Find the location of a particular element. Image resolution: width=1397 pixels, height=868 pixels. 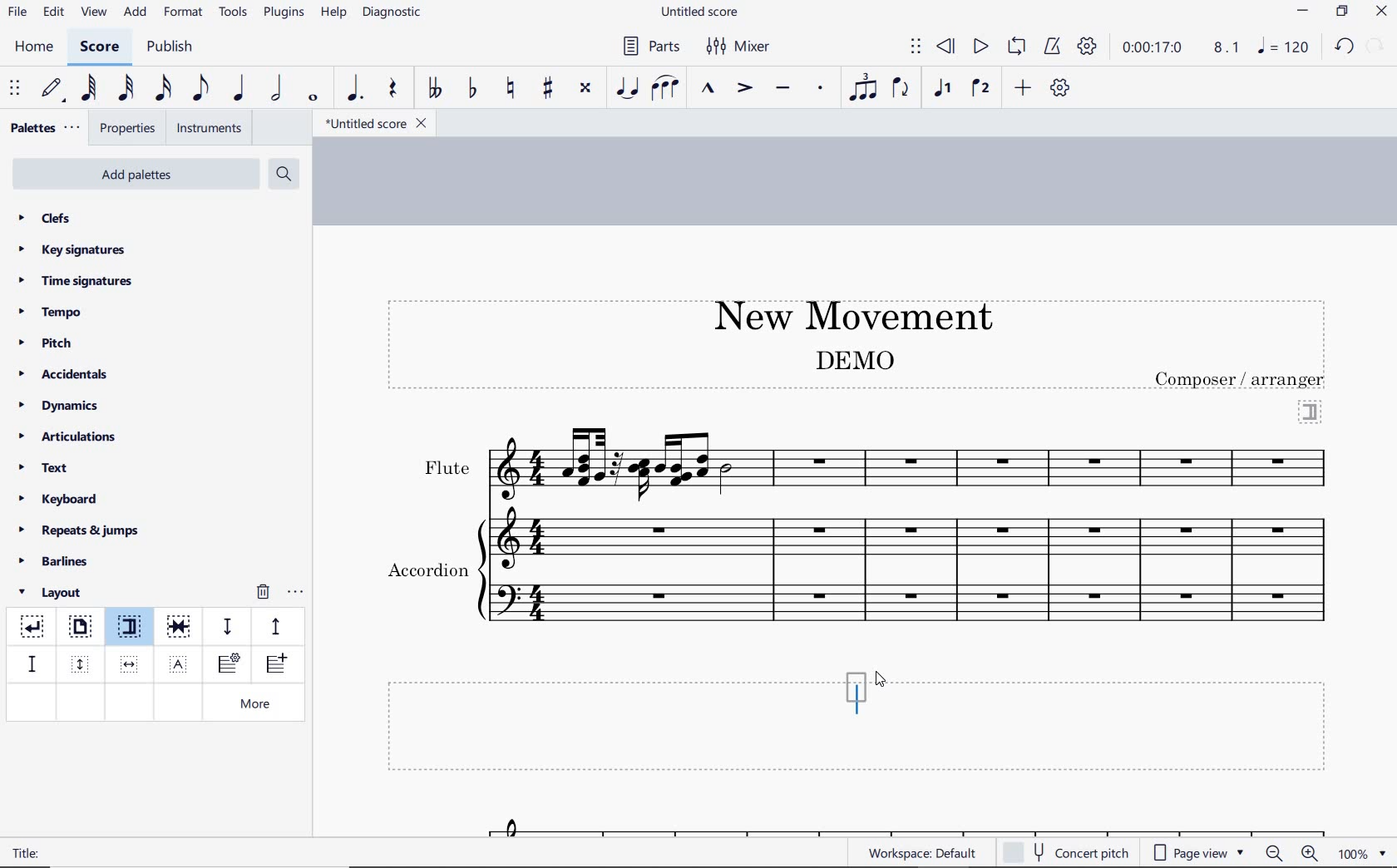

text is located at coordinates (53, 852).